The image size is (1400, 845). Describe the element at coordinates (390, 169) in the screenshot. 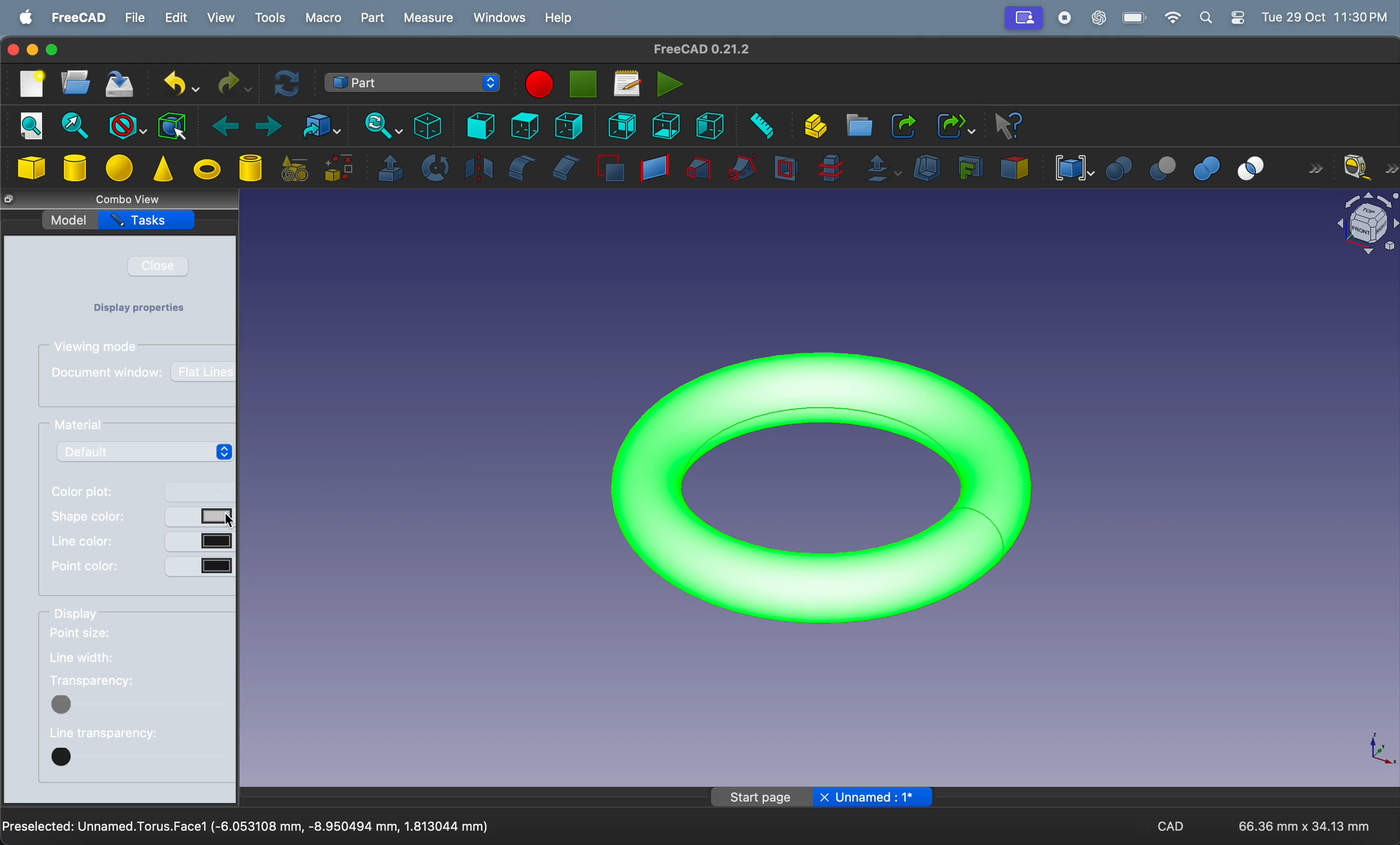

I see `extrude` at that location.